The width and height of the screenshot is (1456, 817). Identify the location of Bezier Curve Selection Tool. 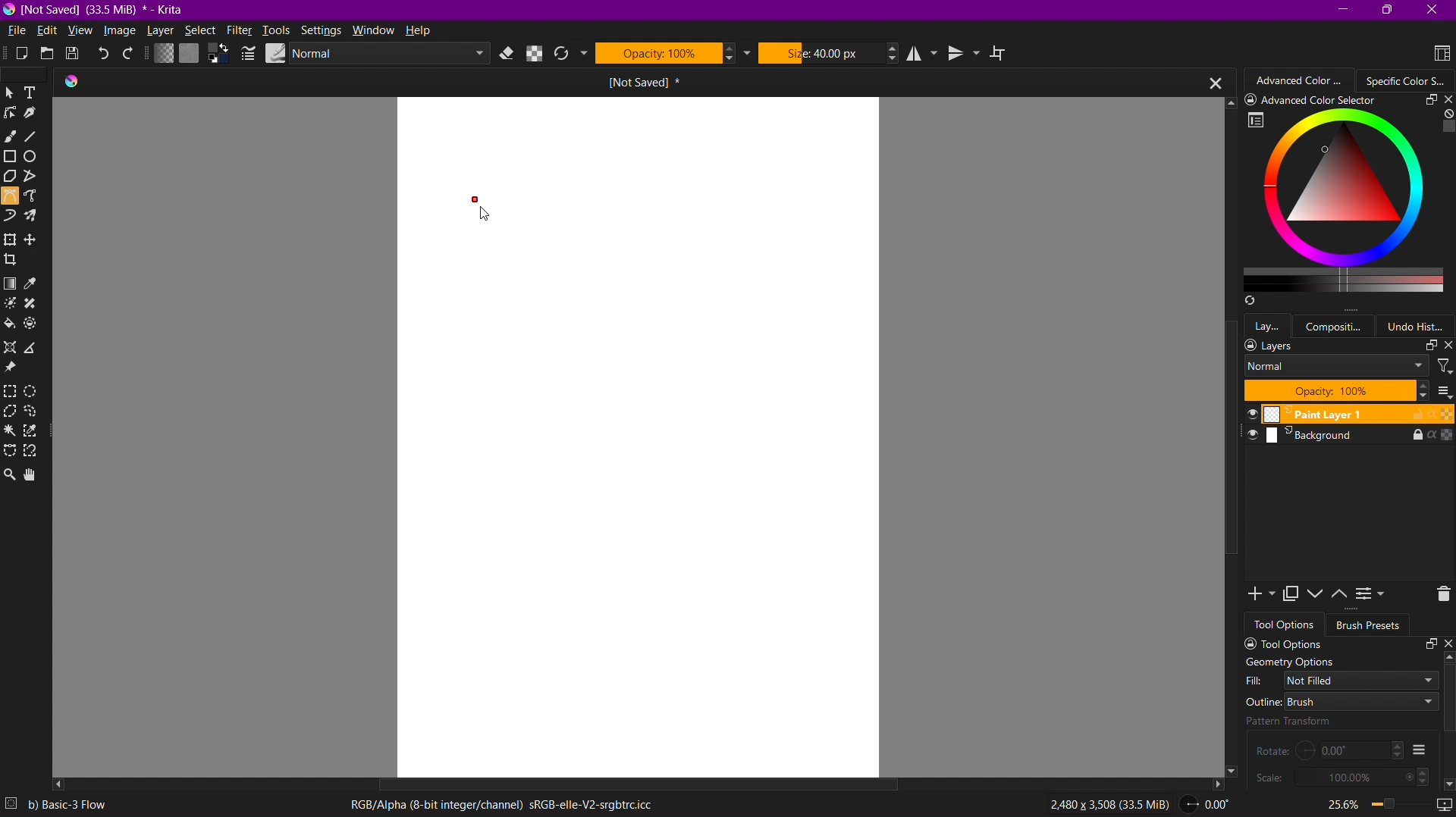
(11, 452).